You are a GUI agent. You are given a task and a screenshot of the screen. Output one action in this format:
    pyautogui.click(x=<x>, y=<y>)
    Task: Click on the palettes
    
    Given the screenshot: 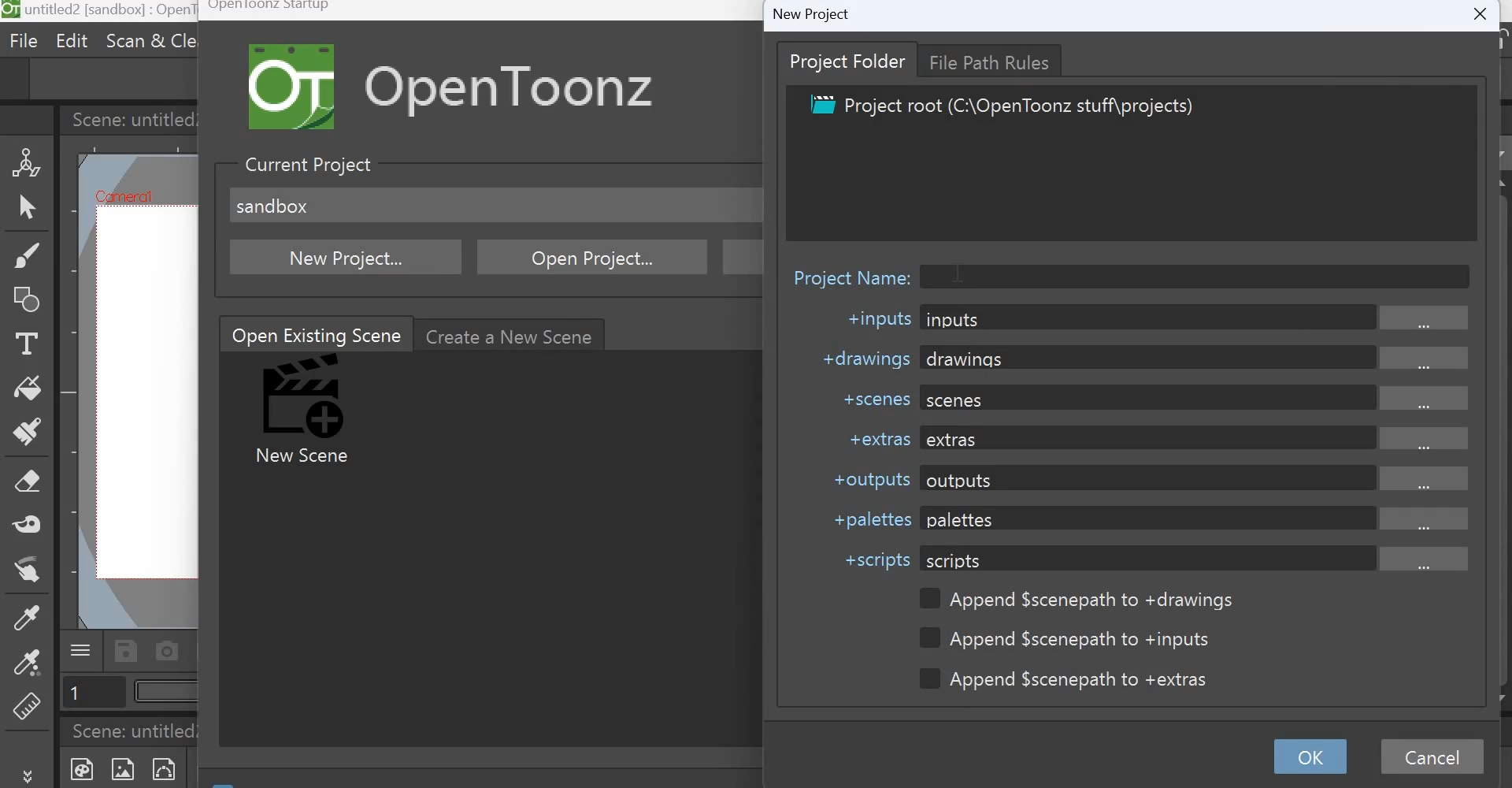 What is the action you would take?
    pyautogui.click(x=1197, y=519)
    